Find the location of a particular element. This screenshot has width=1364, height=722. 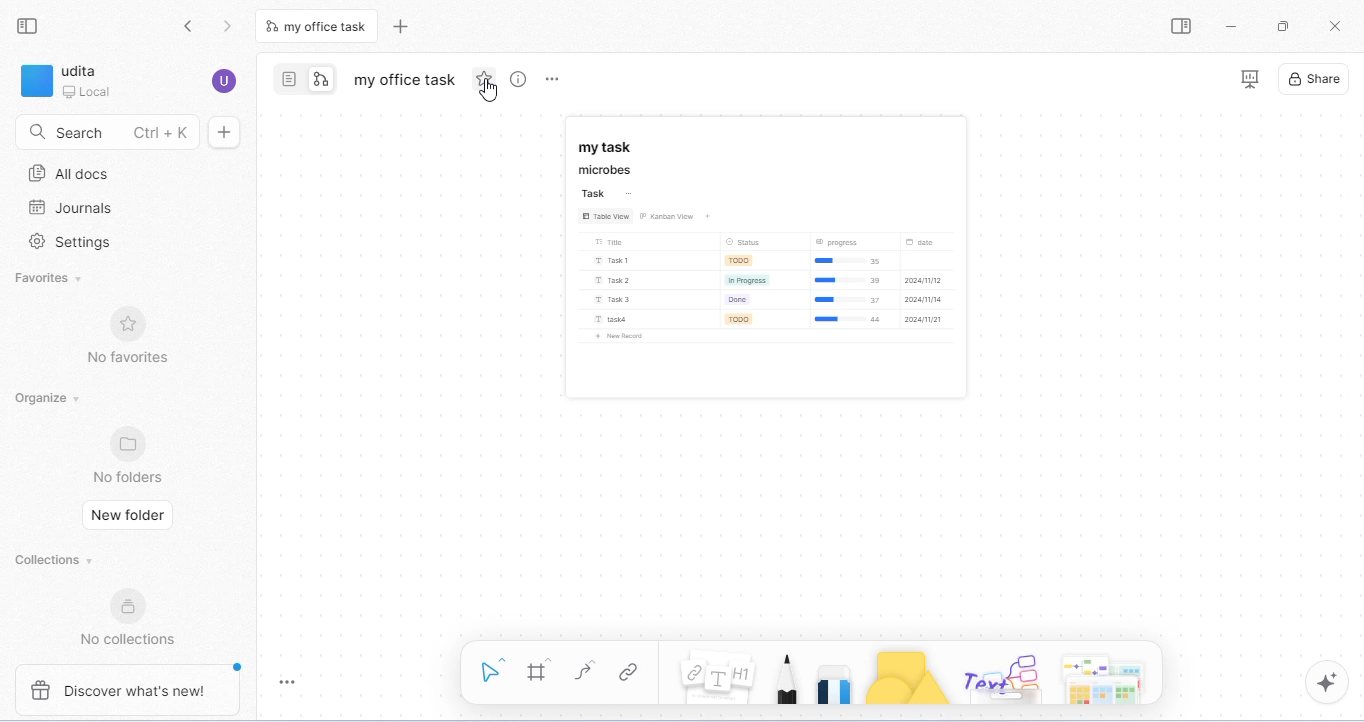

account is located at coordinates (223, 79).